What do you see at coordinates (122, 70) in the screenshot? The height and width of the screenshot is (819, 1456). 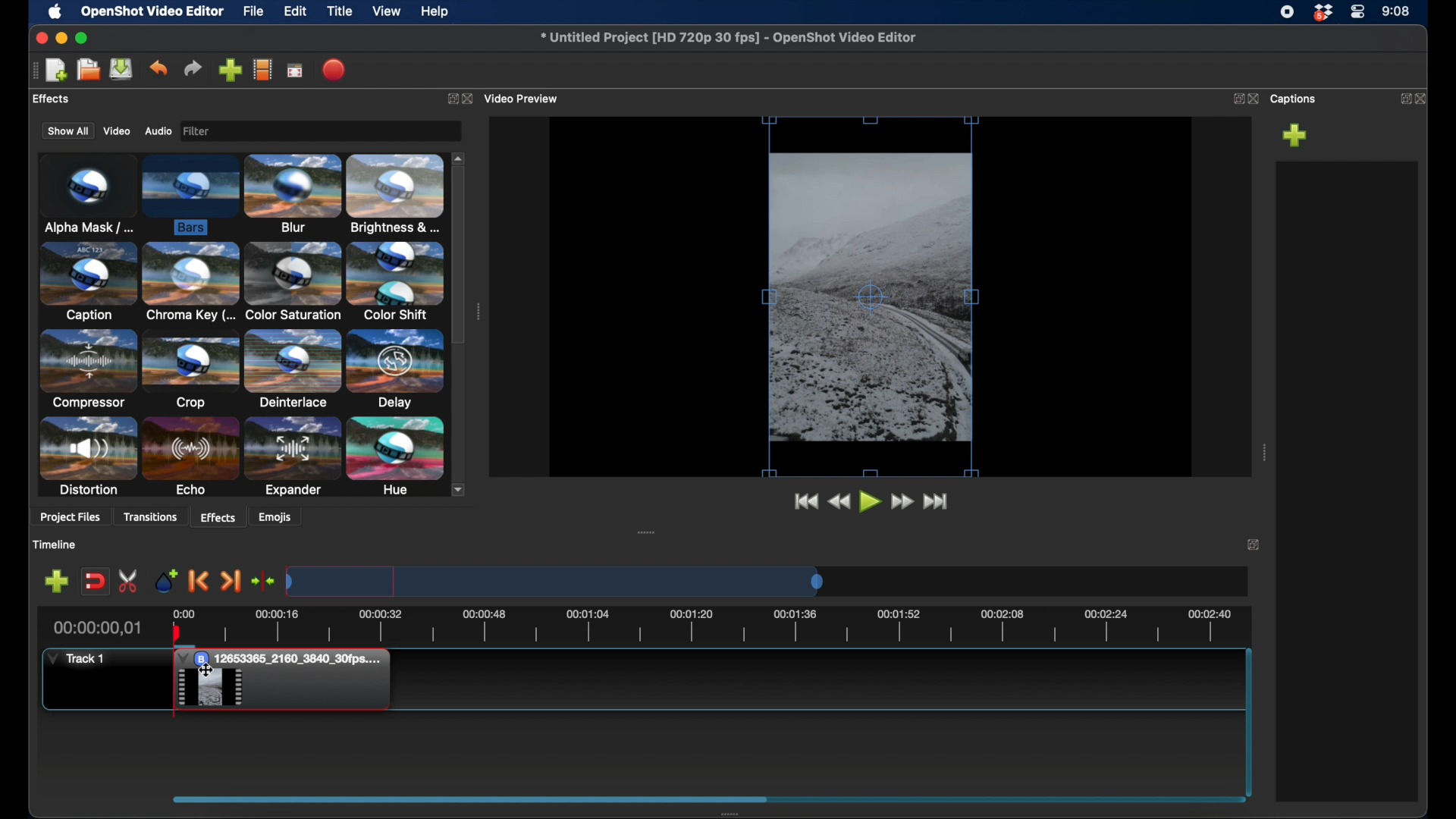 I see `save project` at bounding box center [122, 70].